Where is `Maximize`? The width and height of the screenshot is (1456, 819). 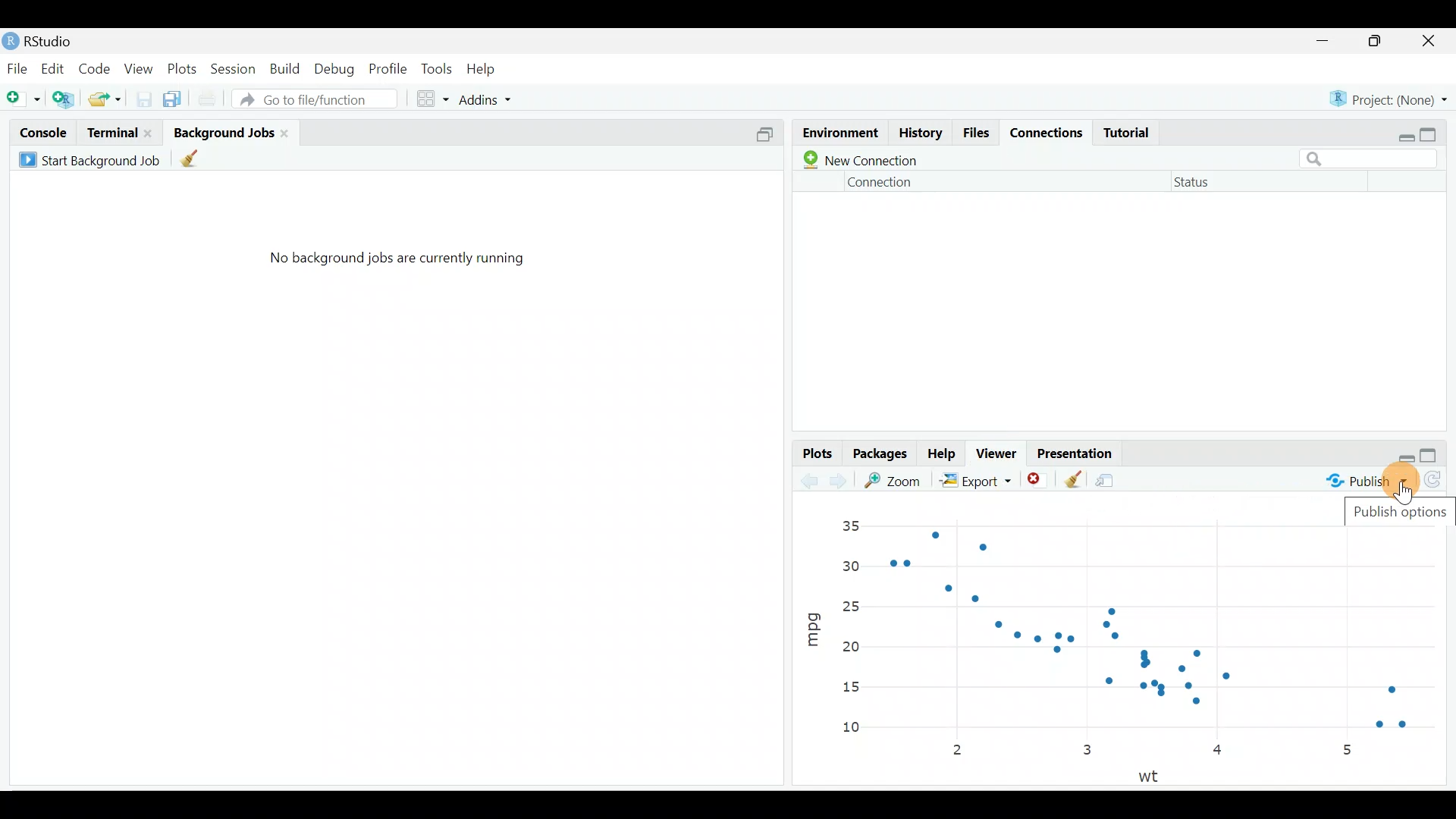
Maximize is located at coordinates (1378, 42).